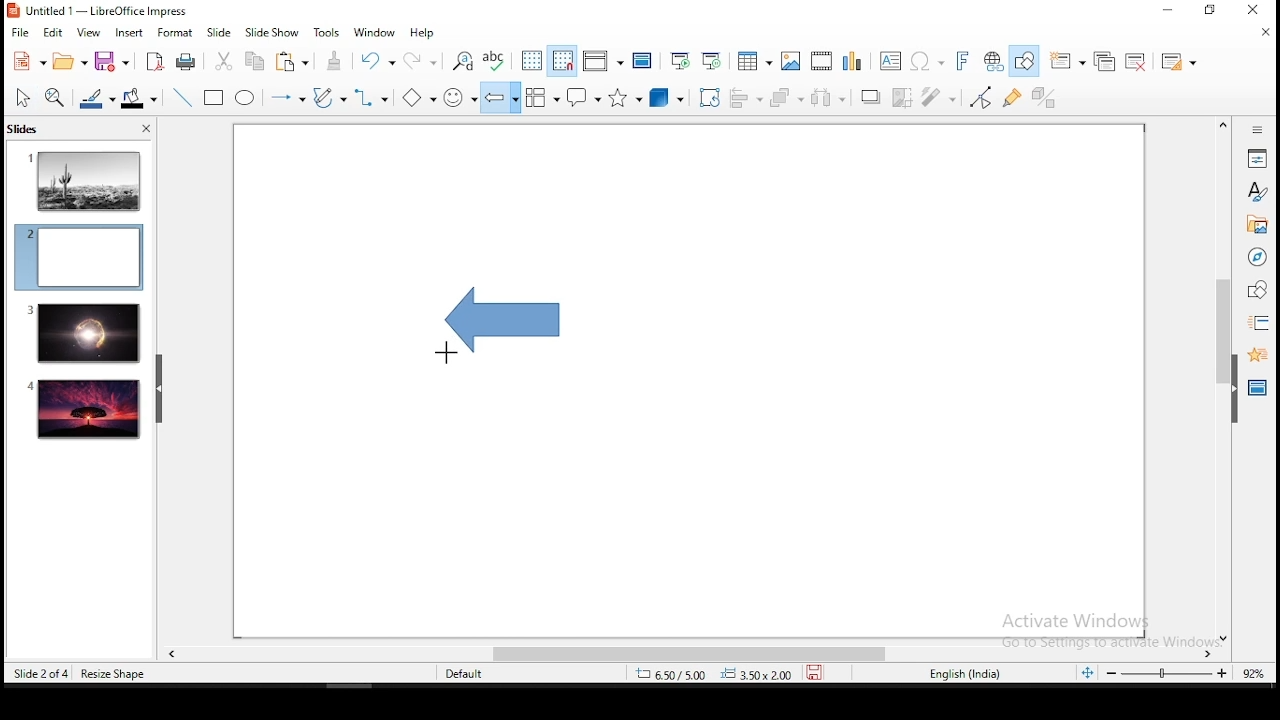  I want to click on connectors, so click(371, 98).